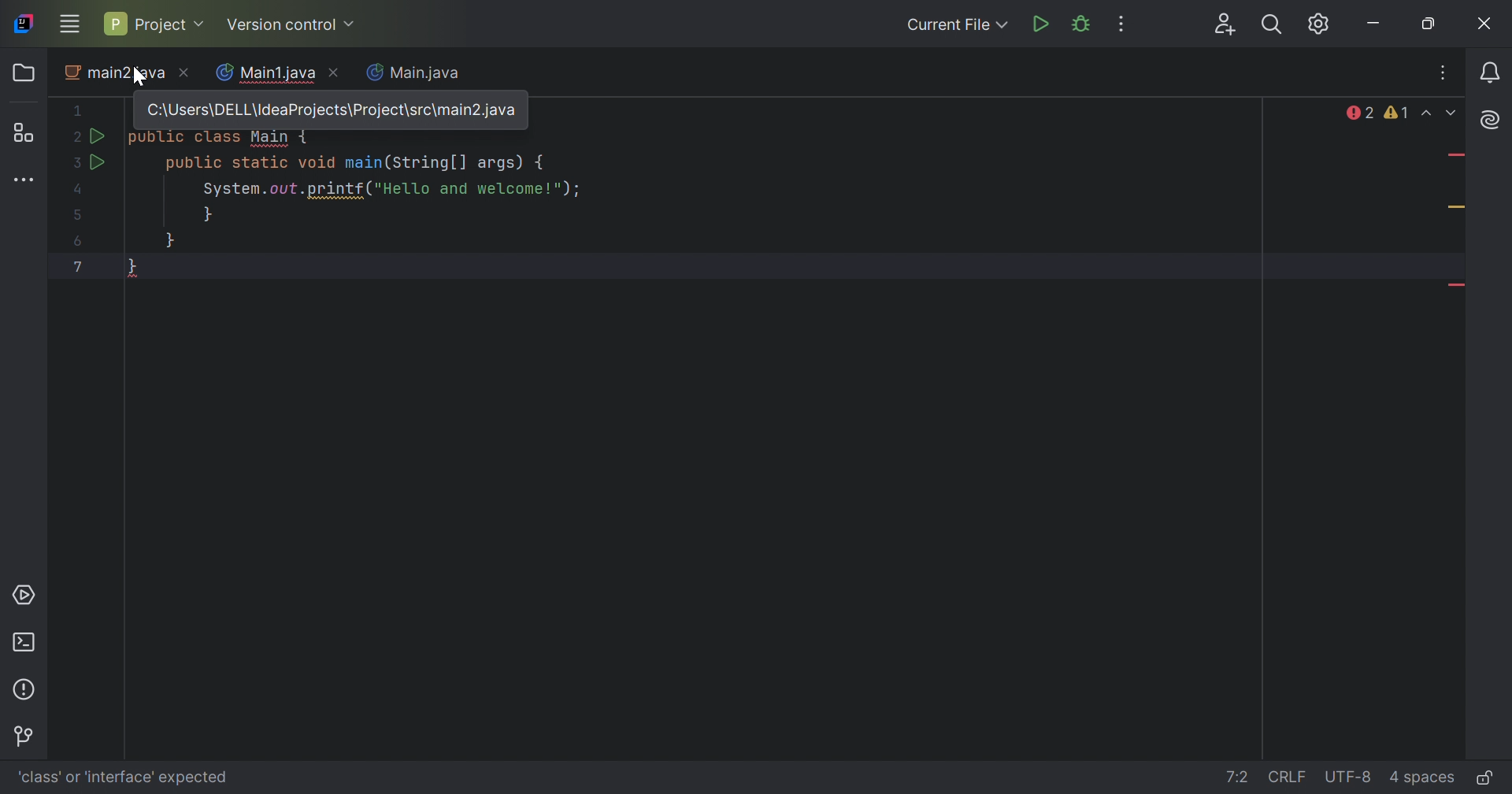  What do you see at coordinates (135, 76) in the screenshot?
I see `Cursor` at bounding box center [135, 76].